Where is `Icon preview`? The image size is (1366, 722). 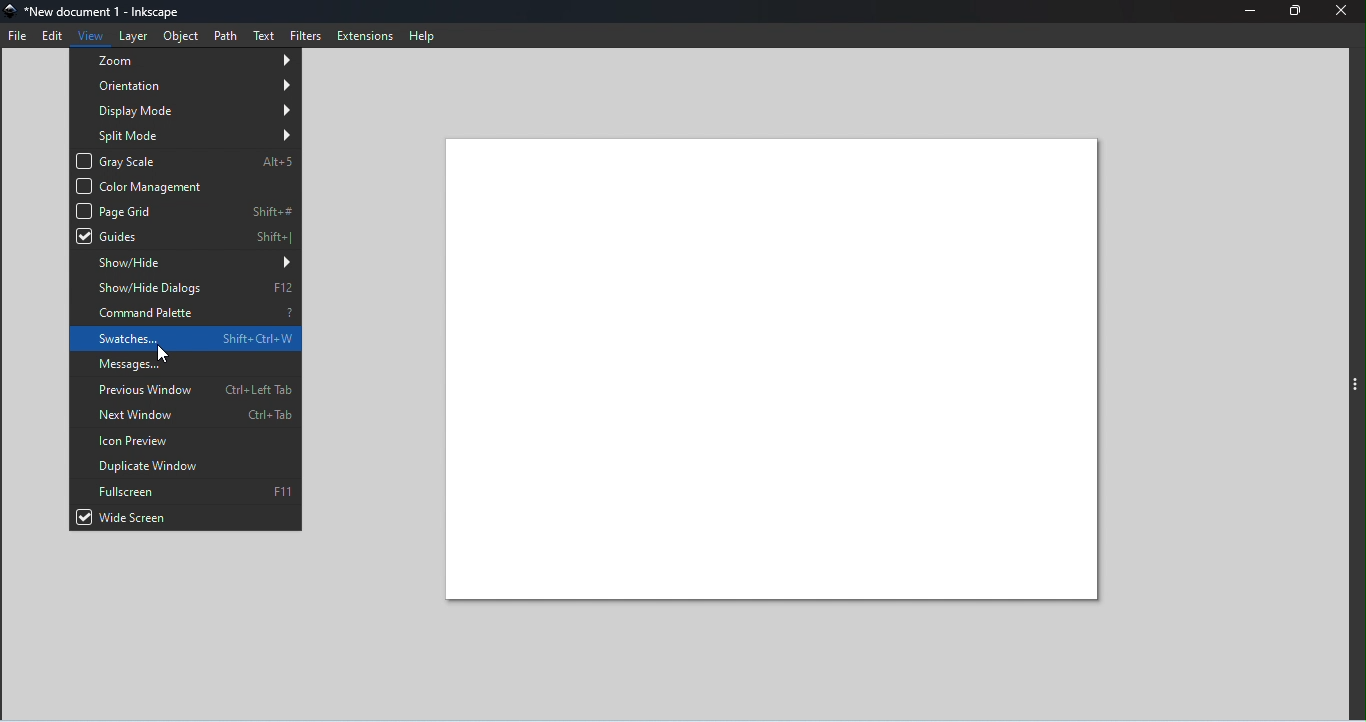
Icon preview is located at coordinates (185, 440).